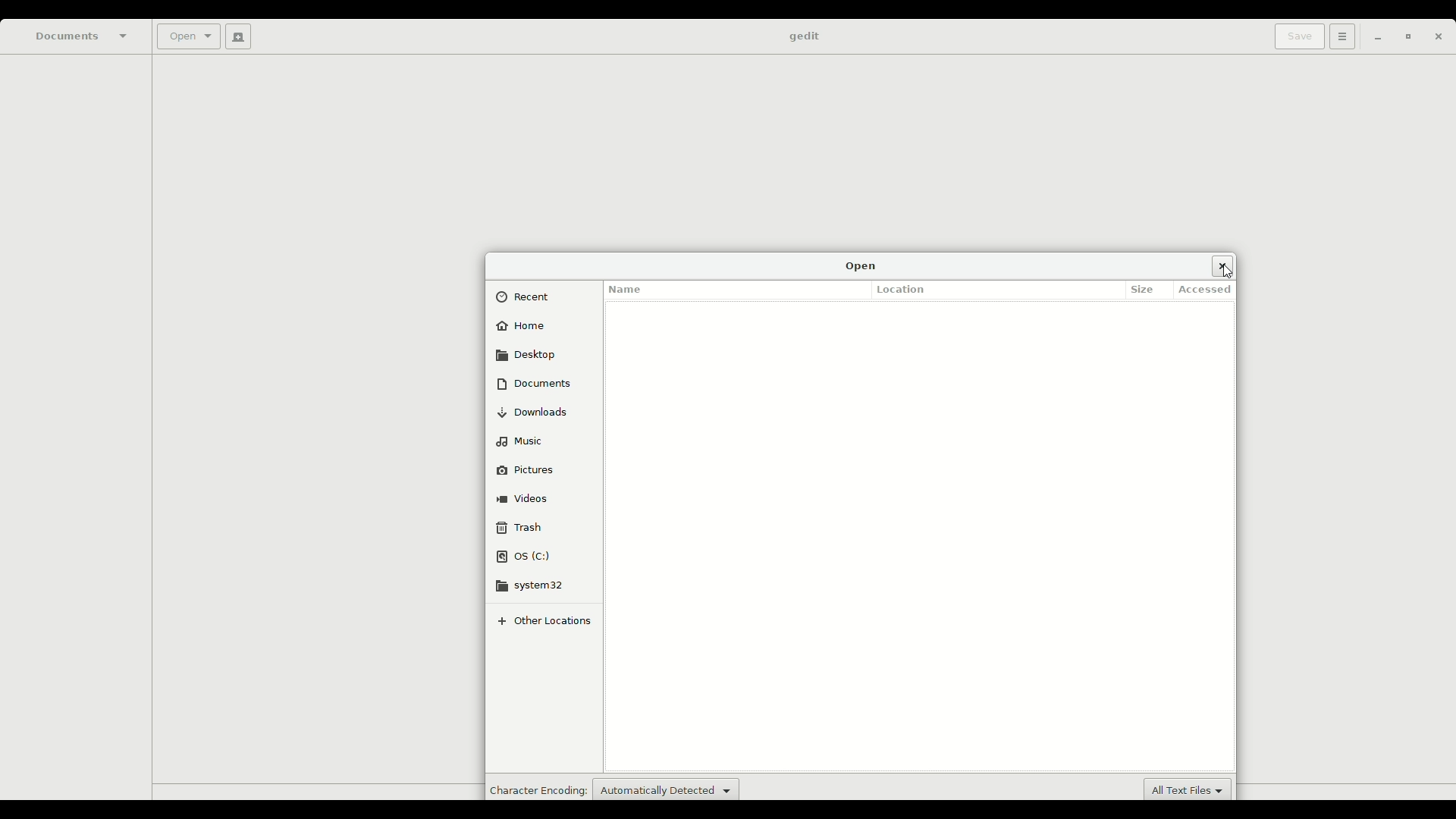 The width and height of the screenshot is (1456, 819). What do you see at coordinates (861, 265) in the screenshot?
I see `Open` at bounding box center [861, 265].